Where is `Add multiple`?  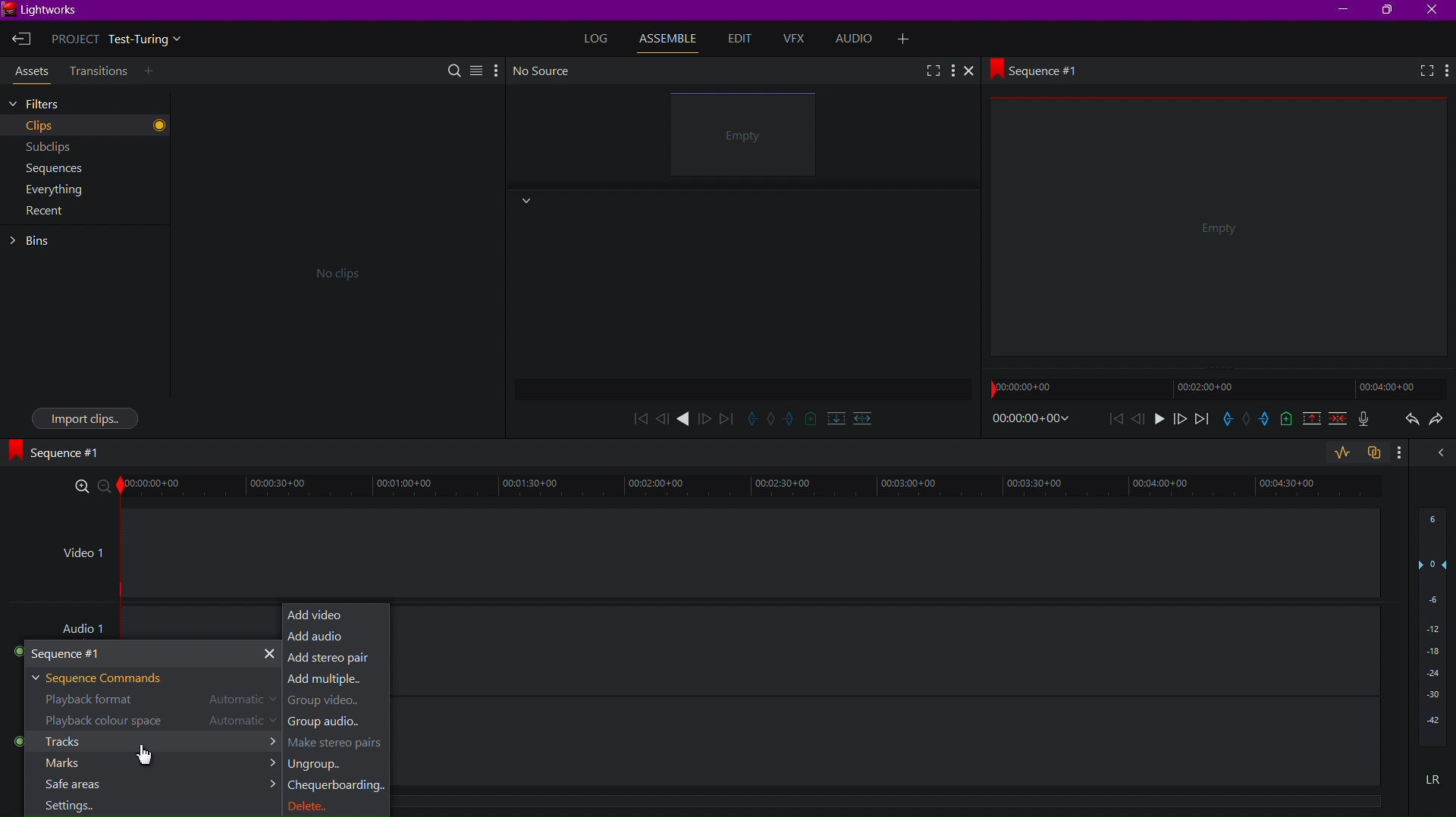
Add multiple is located at coordinates (336, 681).